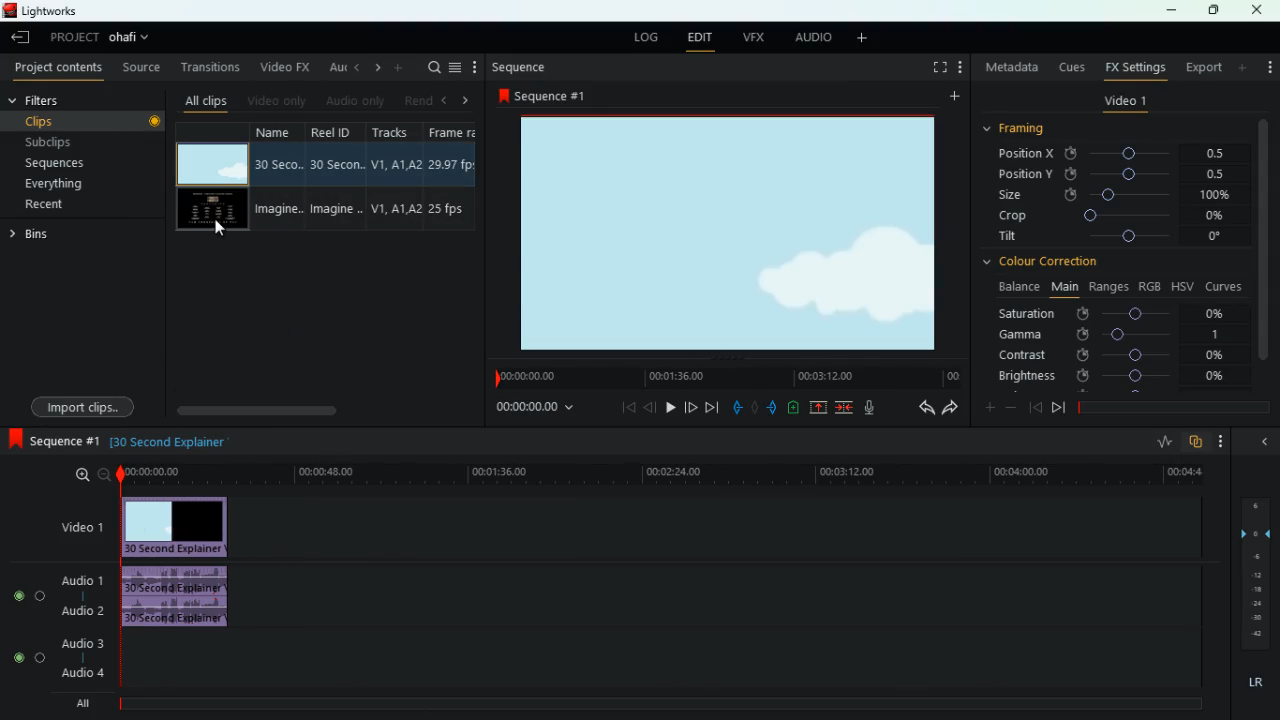 The height and width of the screenshot is (720, 1280). What do you see at coordinates (455, 67) in the screenshot?
I see `menu` at bounding box center [455, 67].